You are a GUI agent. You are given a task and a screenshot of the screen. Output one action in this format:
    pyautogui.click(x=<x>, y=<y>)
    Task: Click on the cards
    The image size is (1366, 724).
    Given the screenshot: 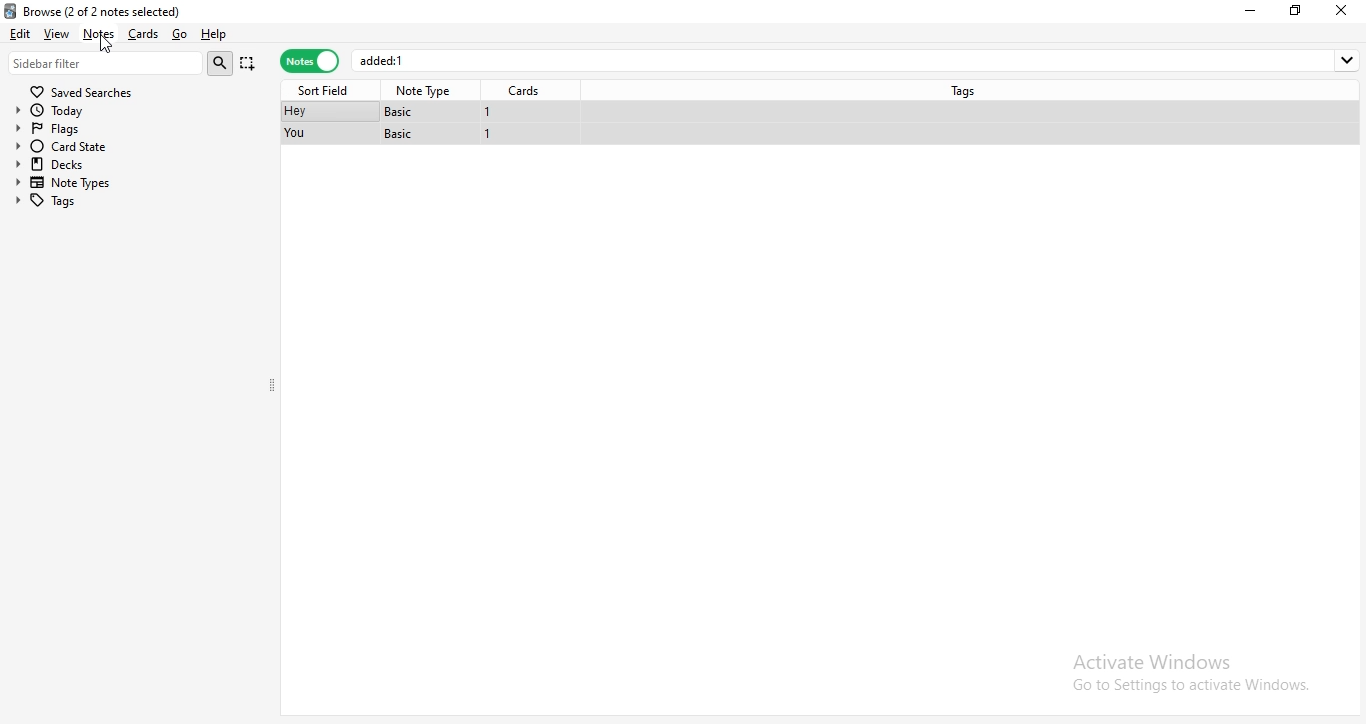 What is the action you would take?
    pyautogui.click(x=528, y=91)
    